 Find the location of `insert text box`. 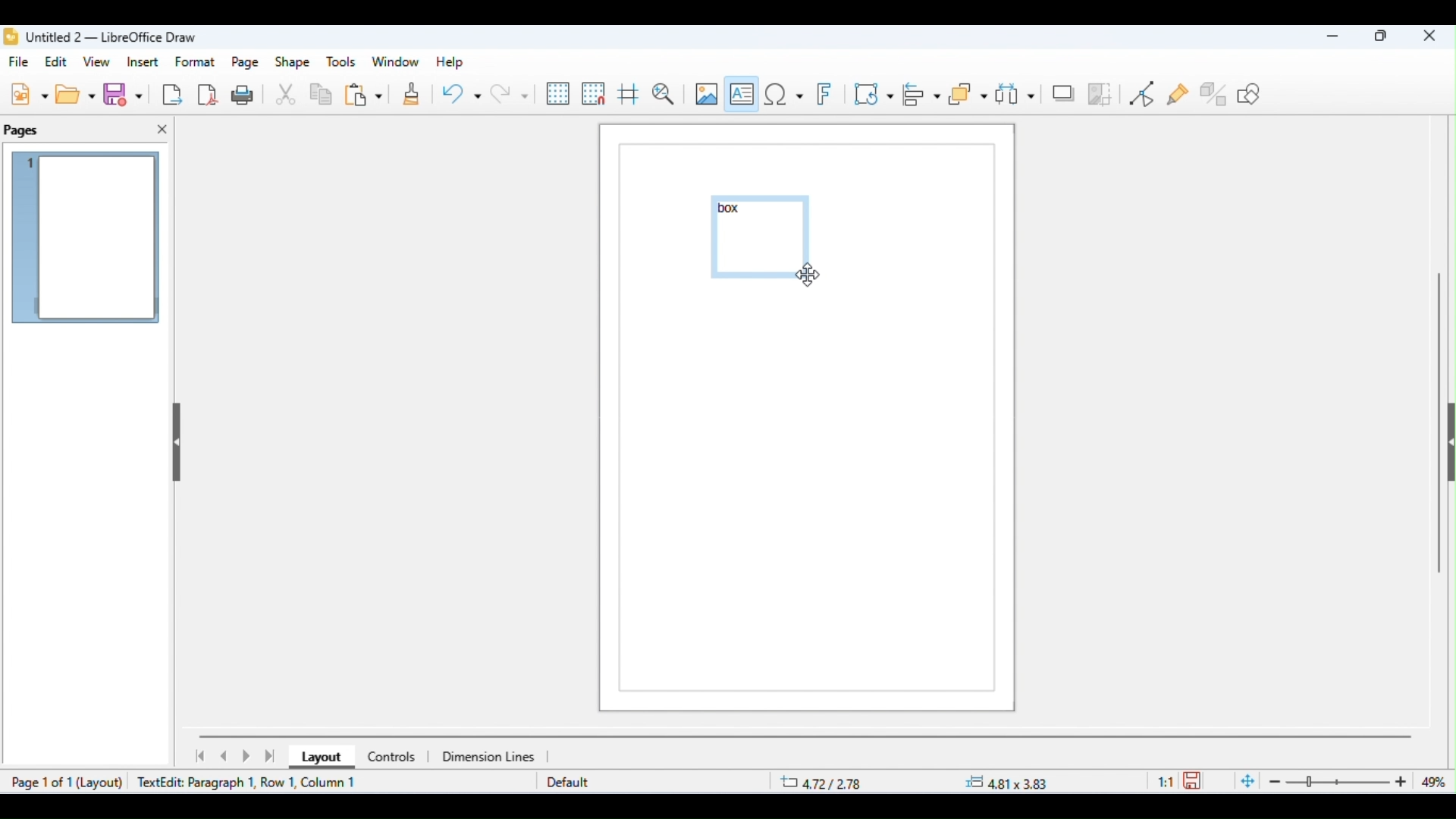

insert text box is located at coordinates (742, 91).